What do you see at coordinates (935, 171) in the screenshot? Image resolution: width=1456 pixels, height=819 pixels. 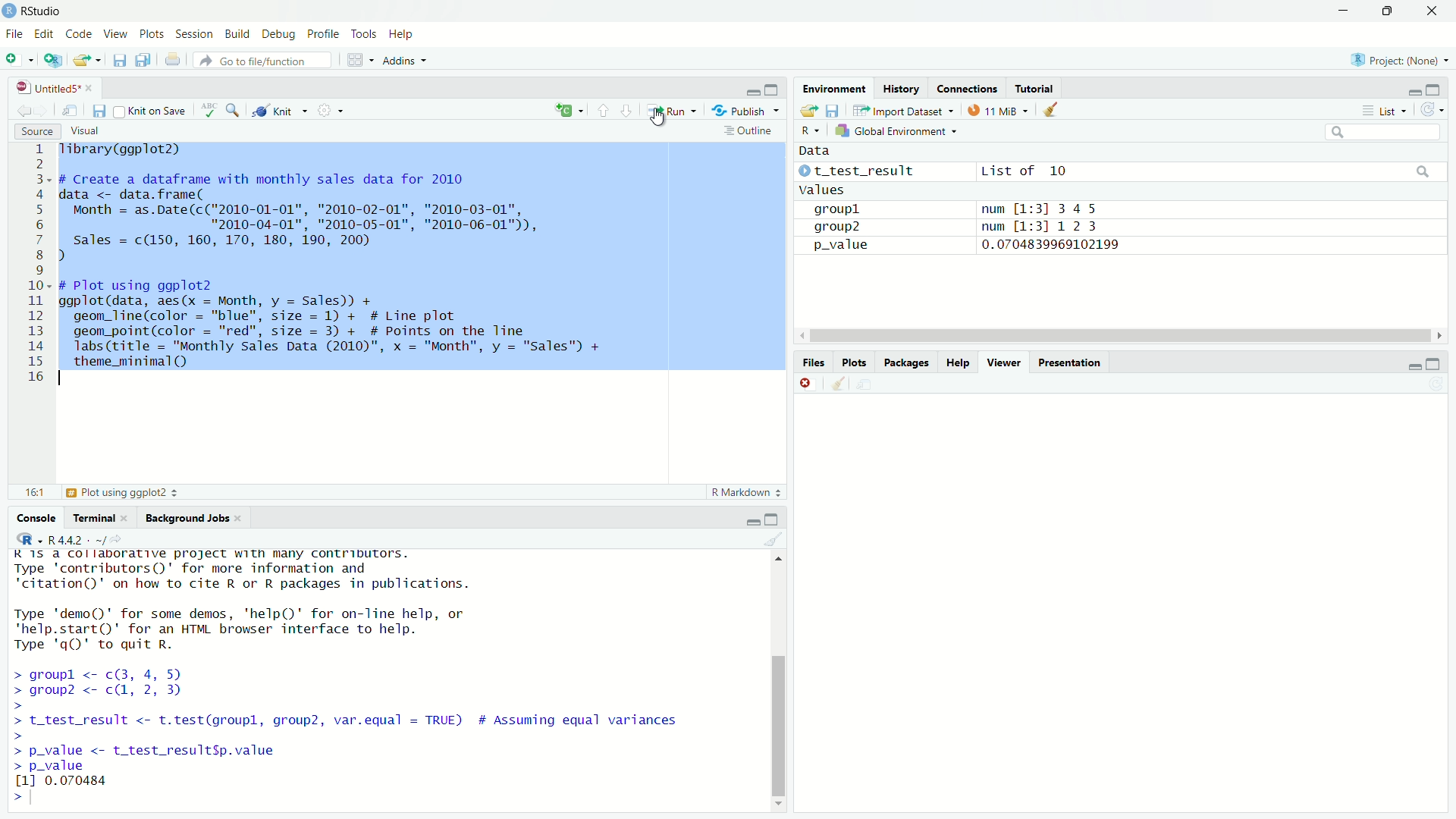 I see `© t_test_result List of 10` at bounding box center [935, 171].